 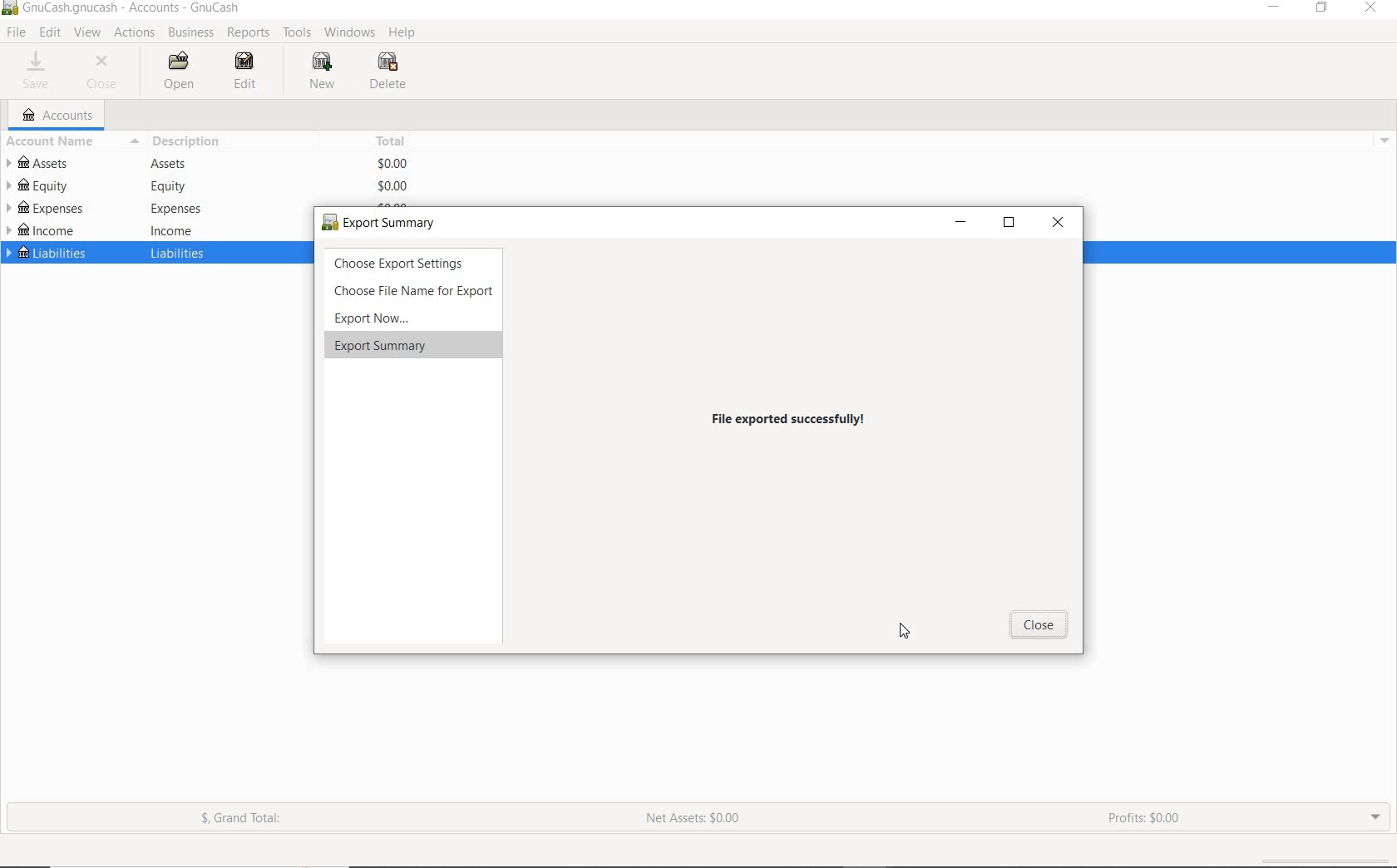 What do you see at coordinates (1145, 817) in the screenshot?
I see `PROFITS` at bounding box center [1145, 817].